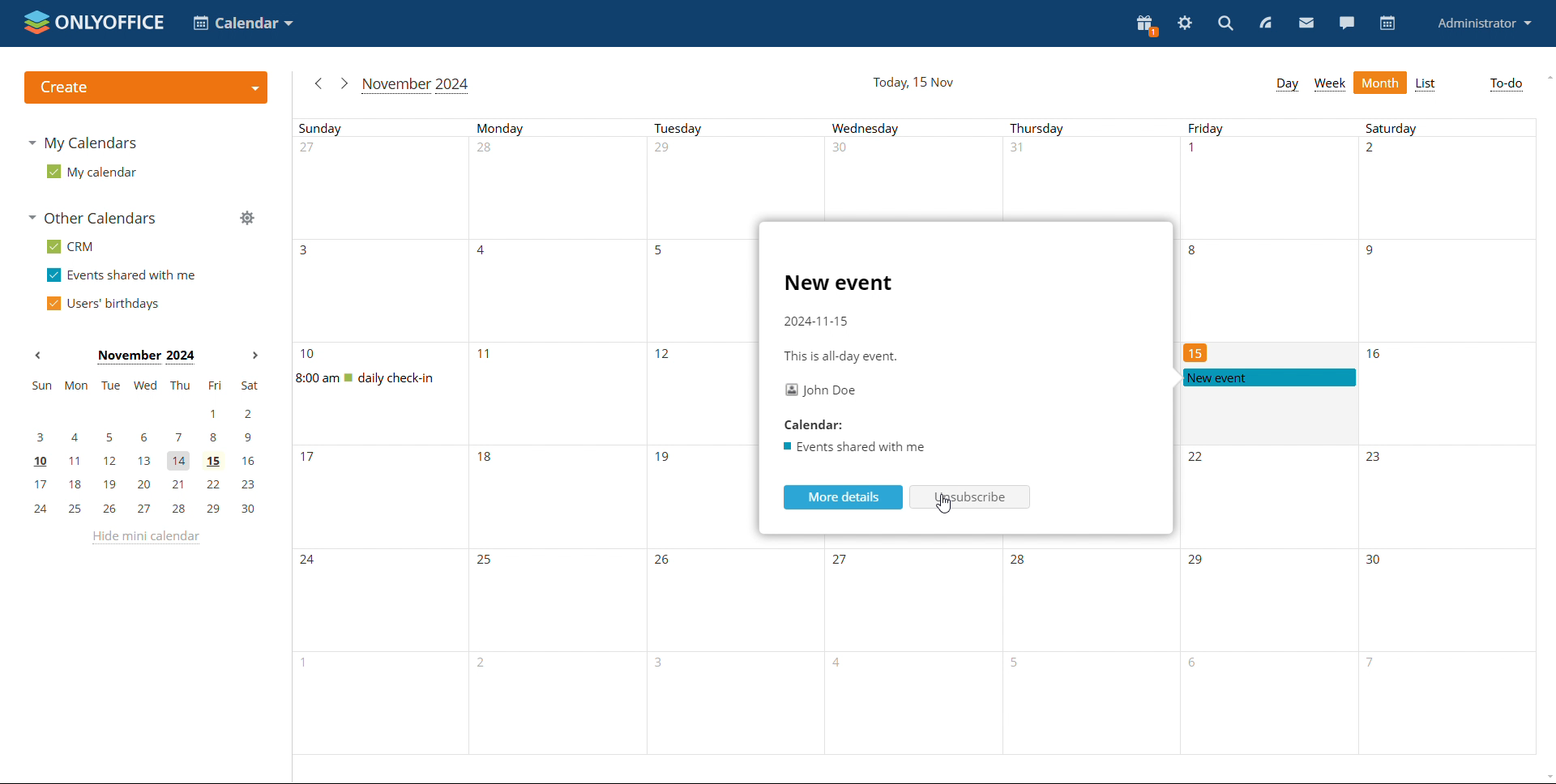 The image size is (1556, 784). What do you see at coordinates (1184, 23) in the screenshot?
I see `settings` at bounding box center [1184, 23].